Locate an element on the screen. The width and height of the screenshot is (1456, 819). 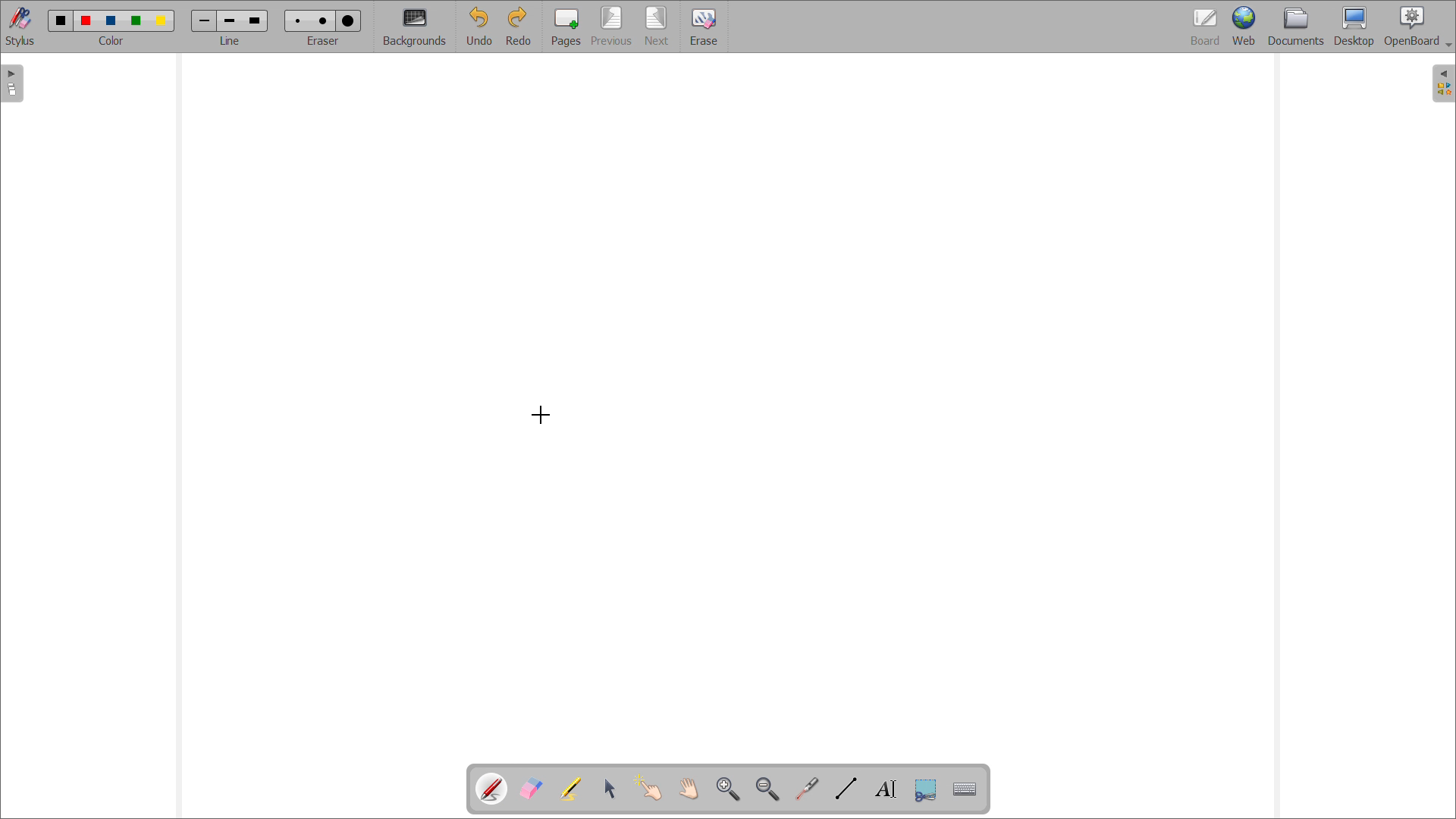
openboard settings is located at coordinates (1417, 27).